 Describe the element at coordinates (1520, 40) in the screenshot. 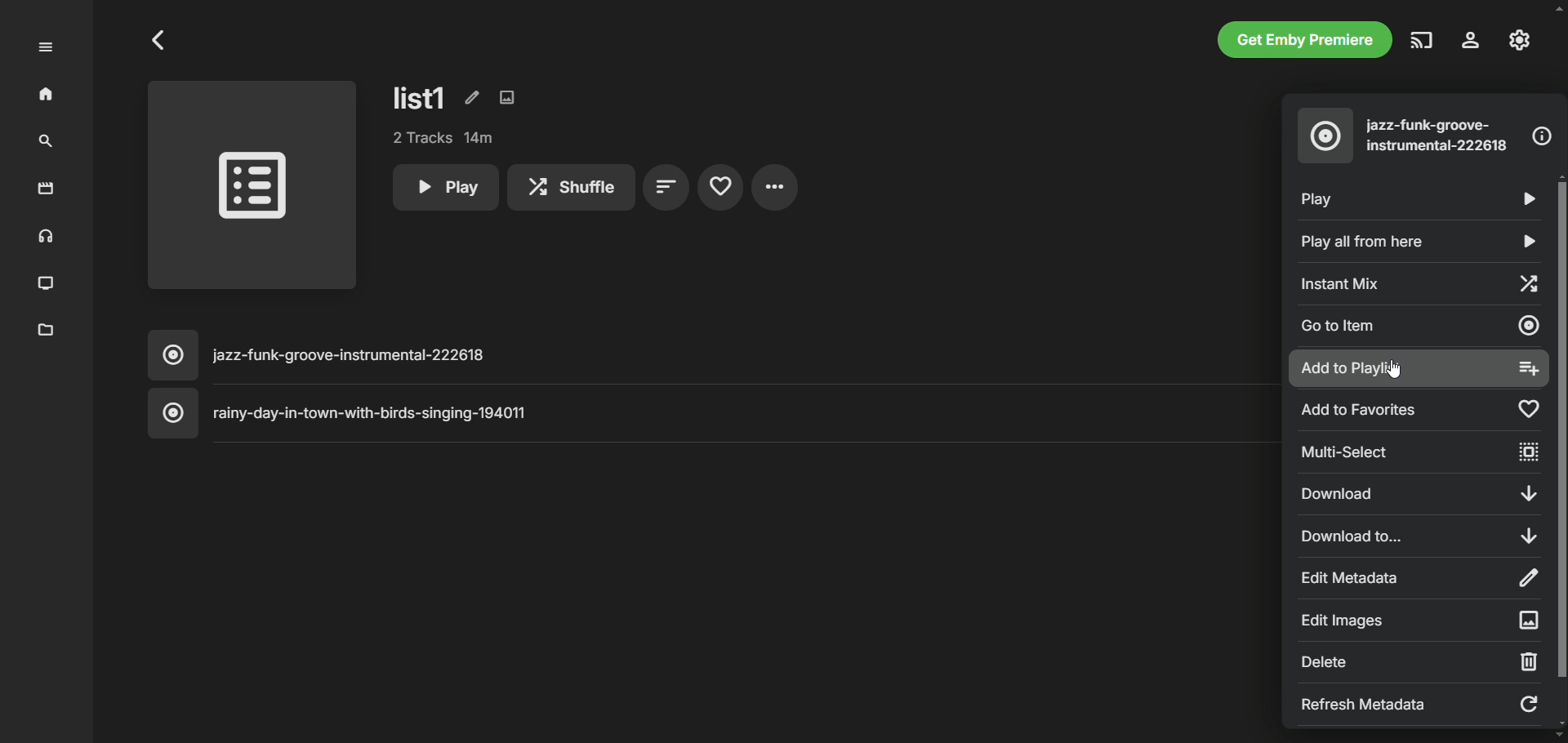

I see `manage emby server` at that location.